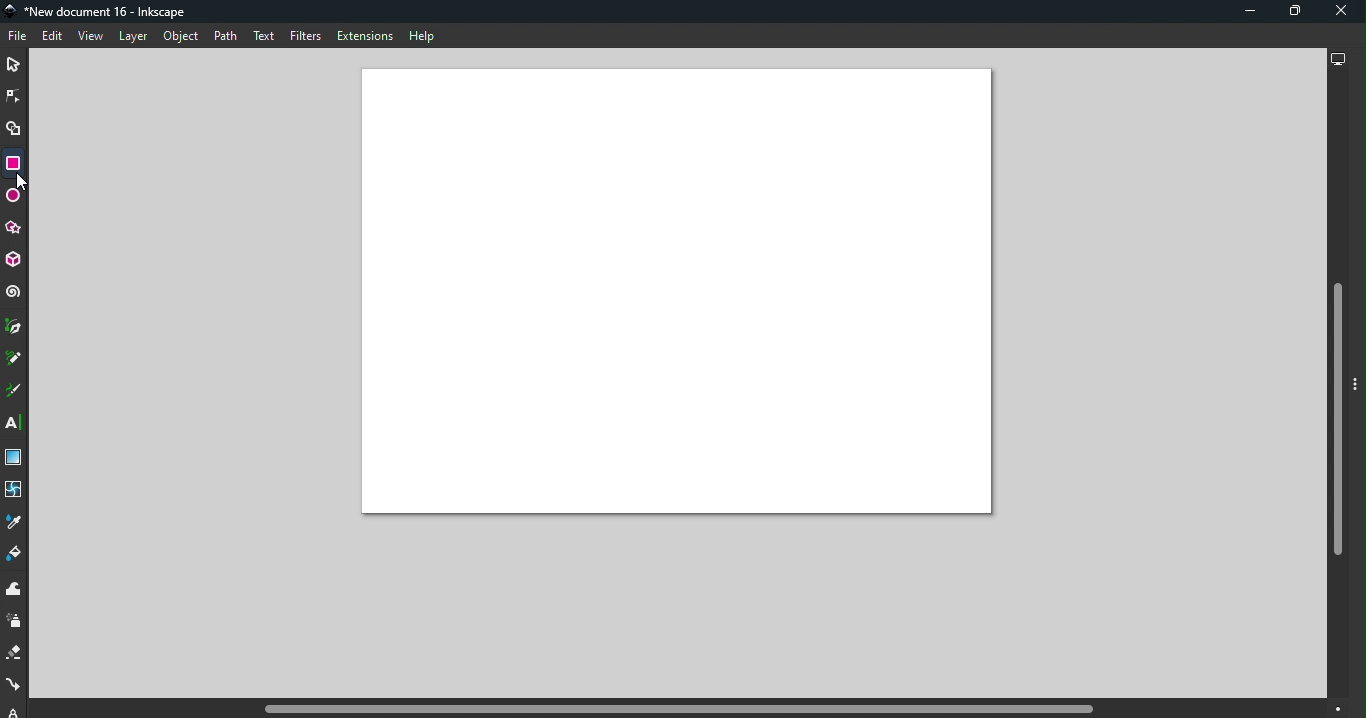 The image size is (1366, 718). I want to click on Gradient tool, so click(16, 458).